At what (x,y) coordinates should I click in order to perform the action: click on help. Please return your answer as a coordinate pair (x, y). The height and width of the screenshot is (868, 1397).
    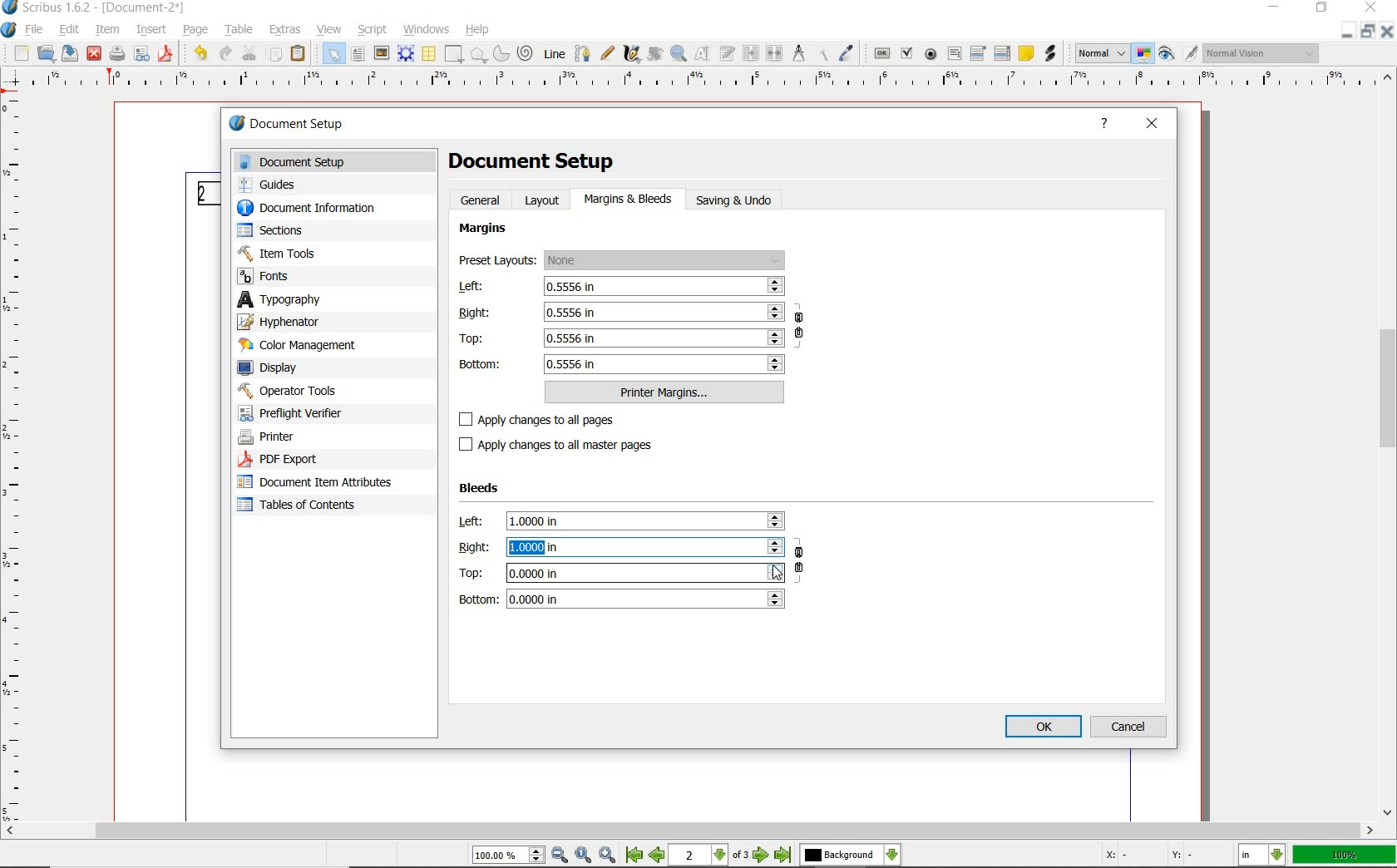
    Looking at the image, I should click on (1108, 124).